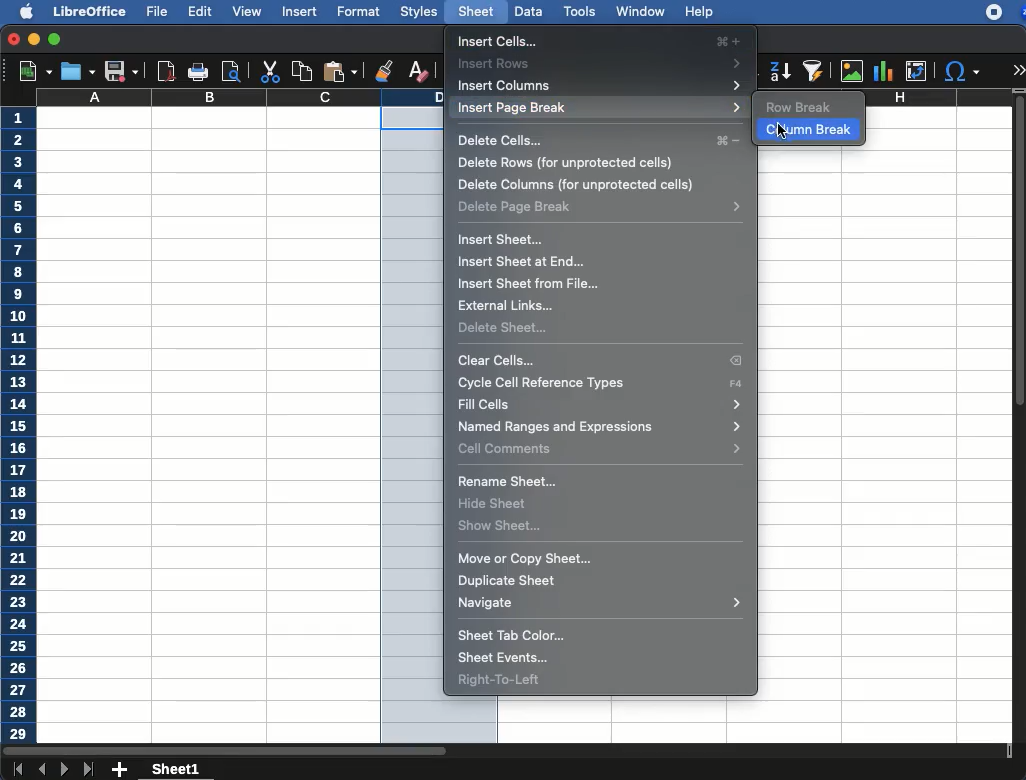  Describe the element at coordinates (120, 72) in the screenshot. I see `save` at that location.